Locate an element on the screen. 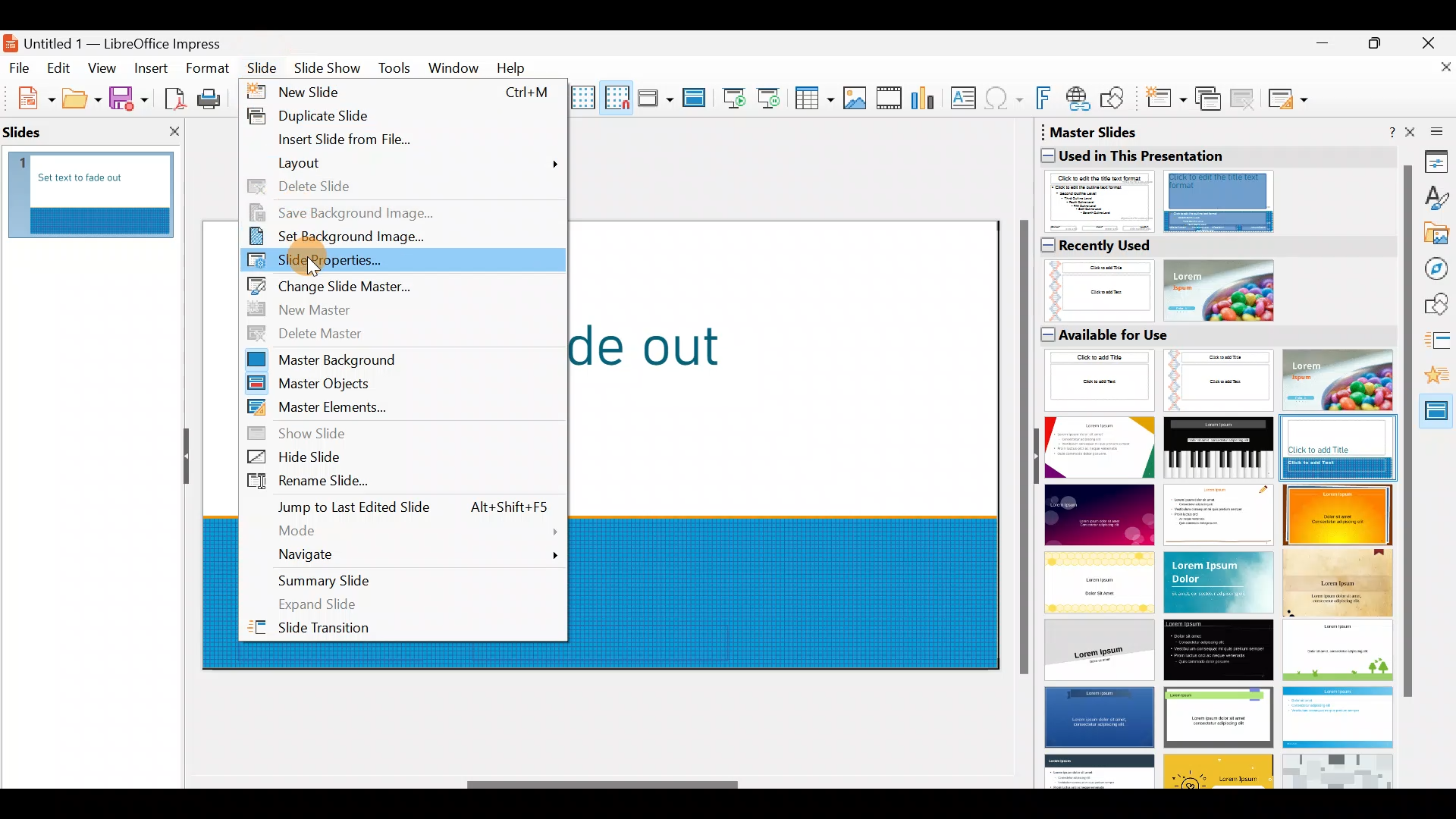 Image resolution: width=1456 pixels, height=819 pixels. Animation is located at coordinates (1439, 380).